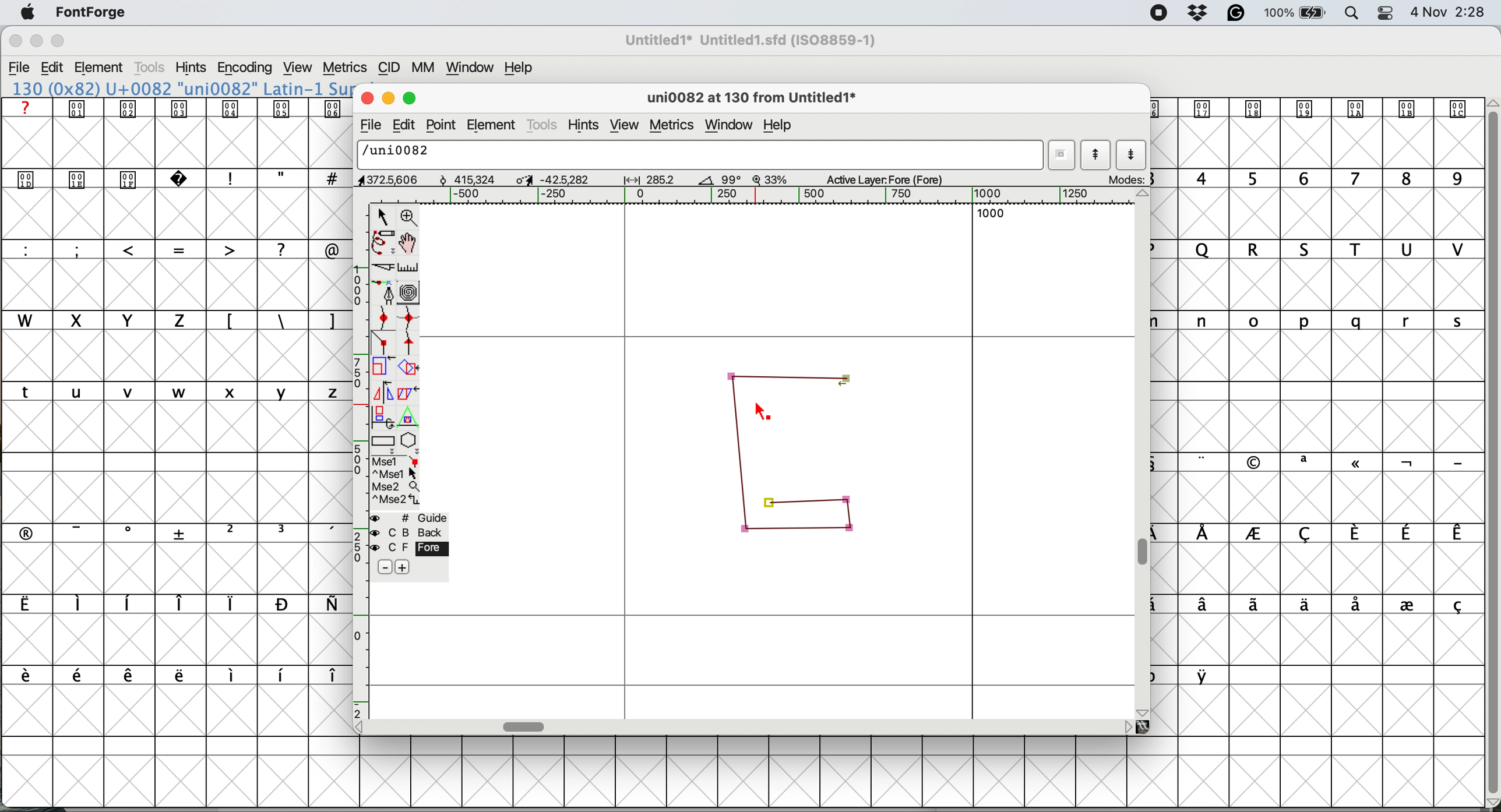  Describe the element at coordinates (1320, 178) in the screenshot. I see `numbers` at that location.